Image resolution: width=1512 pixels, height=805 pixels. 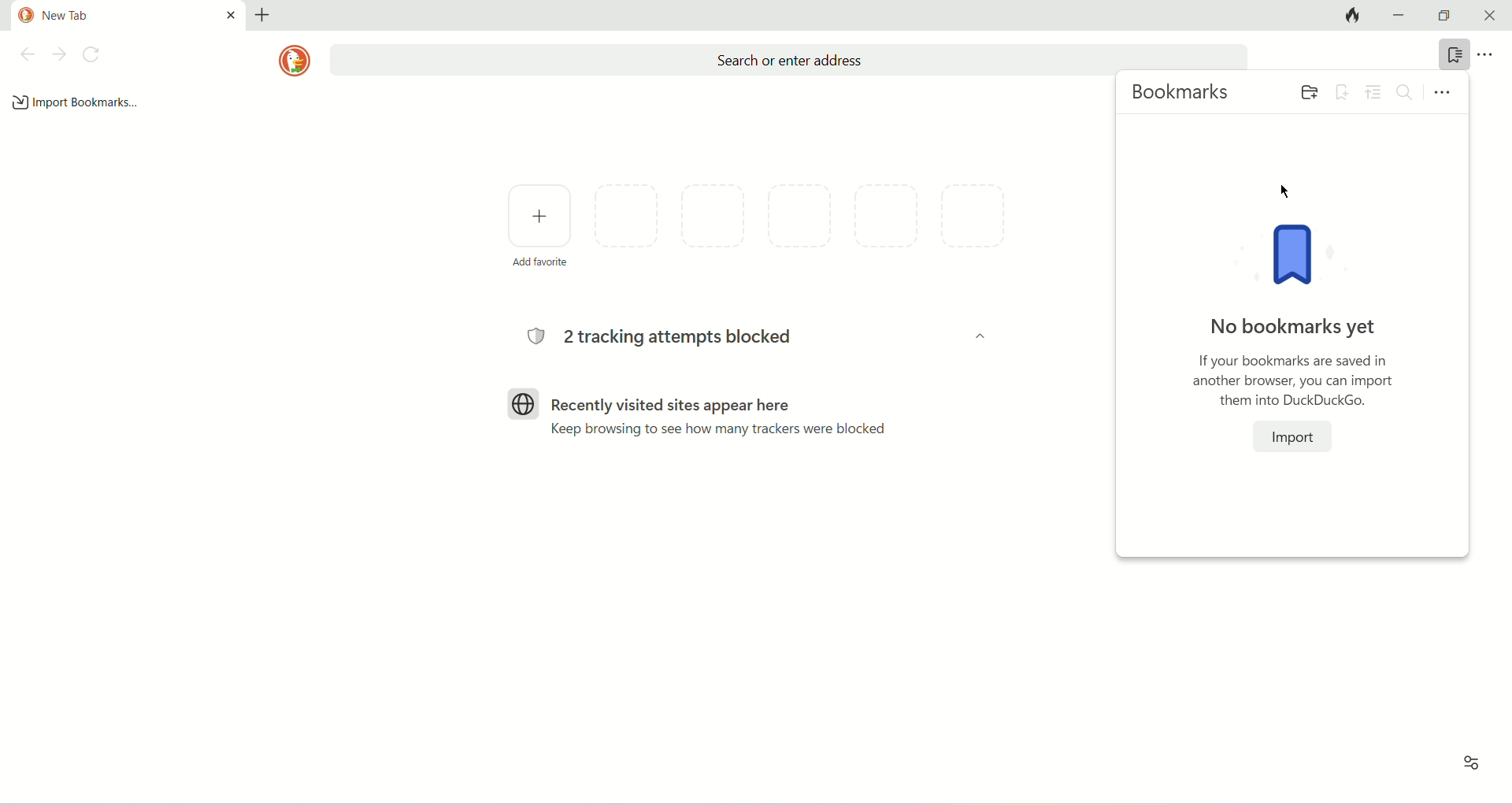 I want to click on add favorite, so click(x=539, y=224).